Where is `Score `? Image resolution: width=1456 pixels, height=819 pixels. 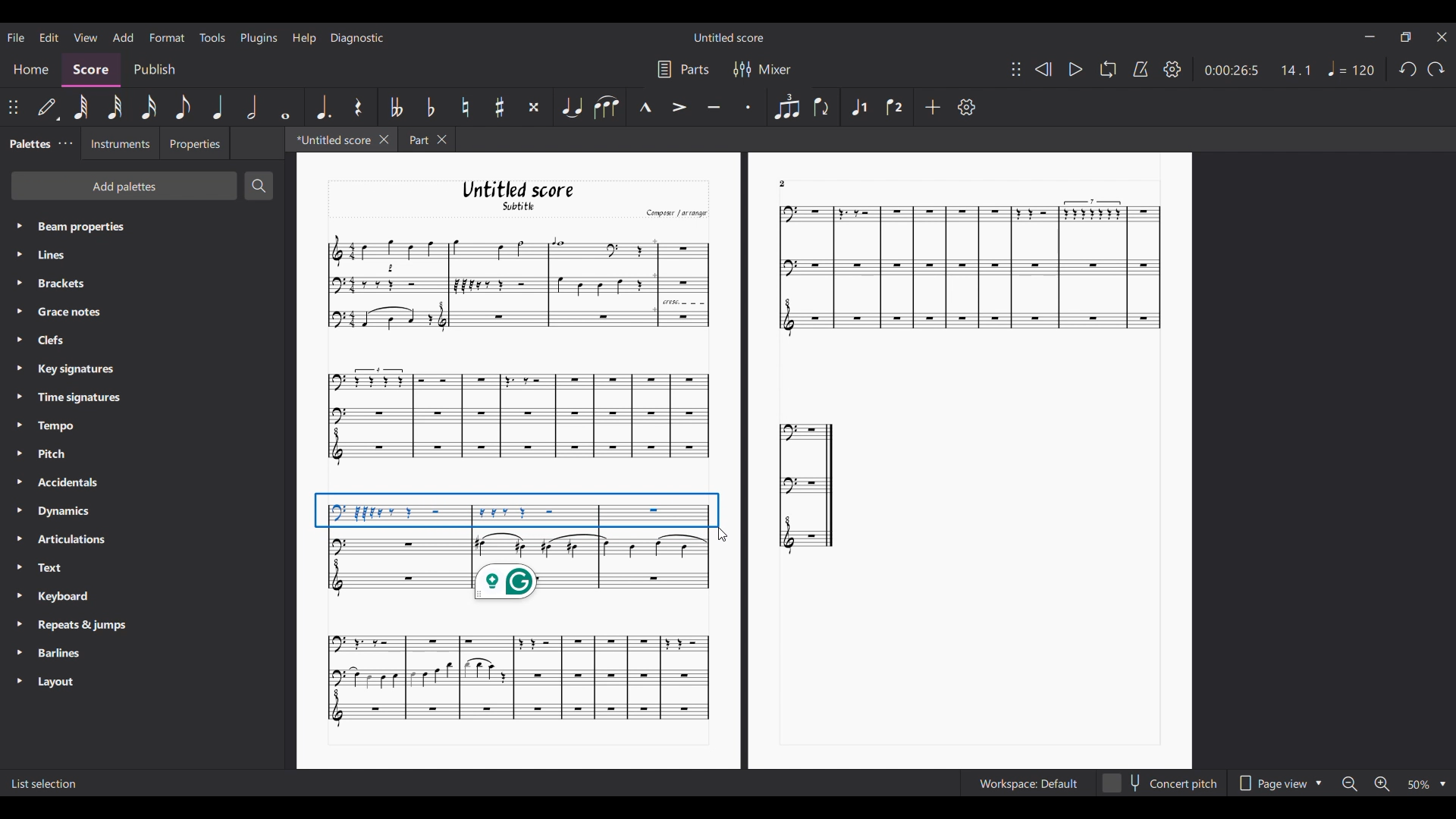 Score  is located at coordinates (91, 71).